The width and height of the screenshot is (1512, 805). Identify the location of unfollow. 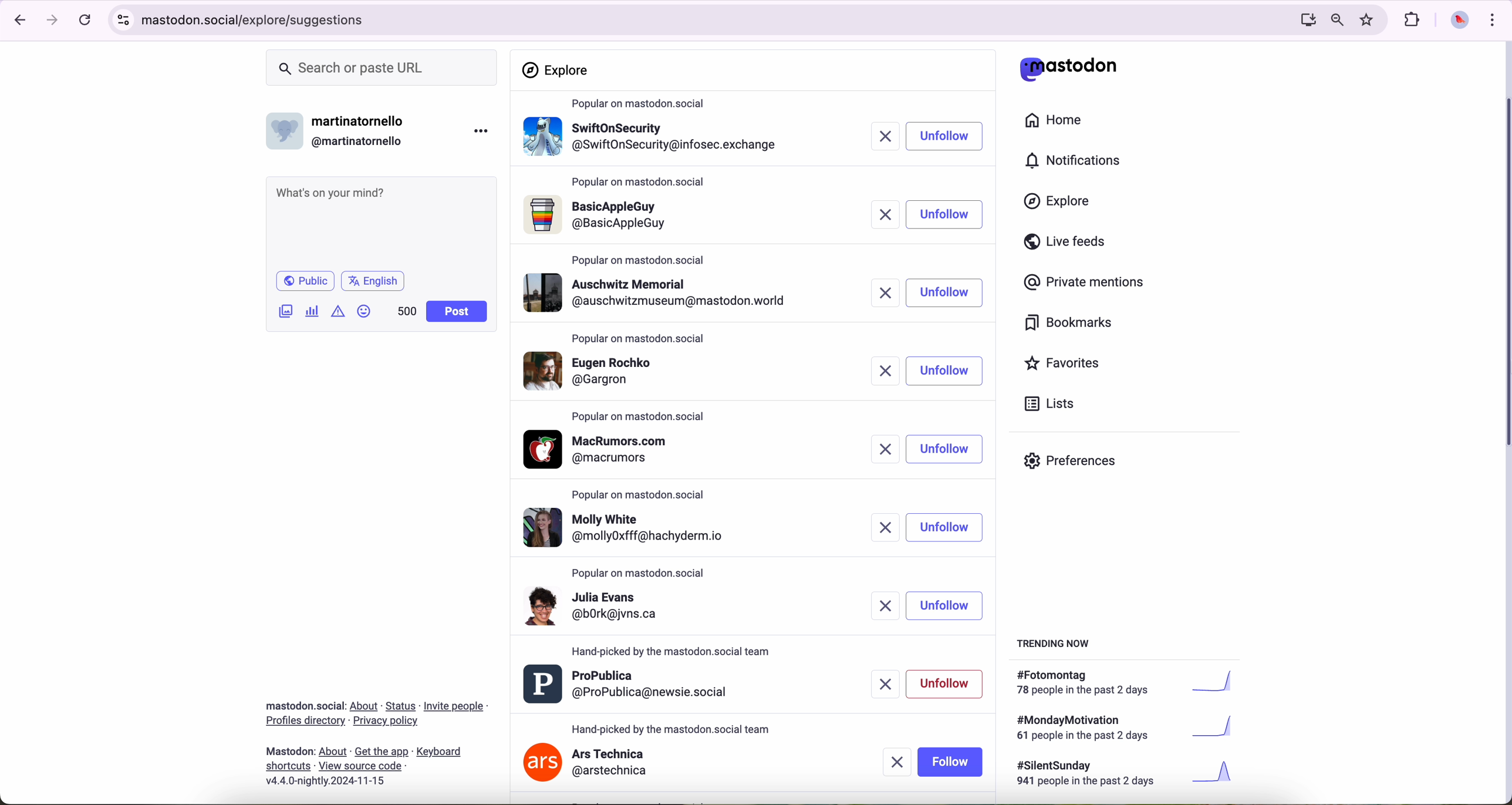
(947, 528).